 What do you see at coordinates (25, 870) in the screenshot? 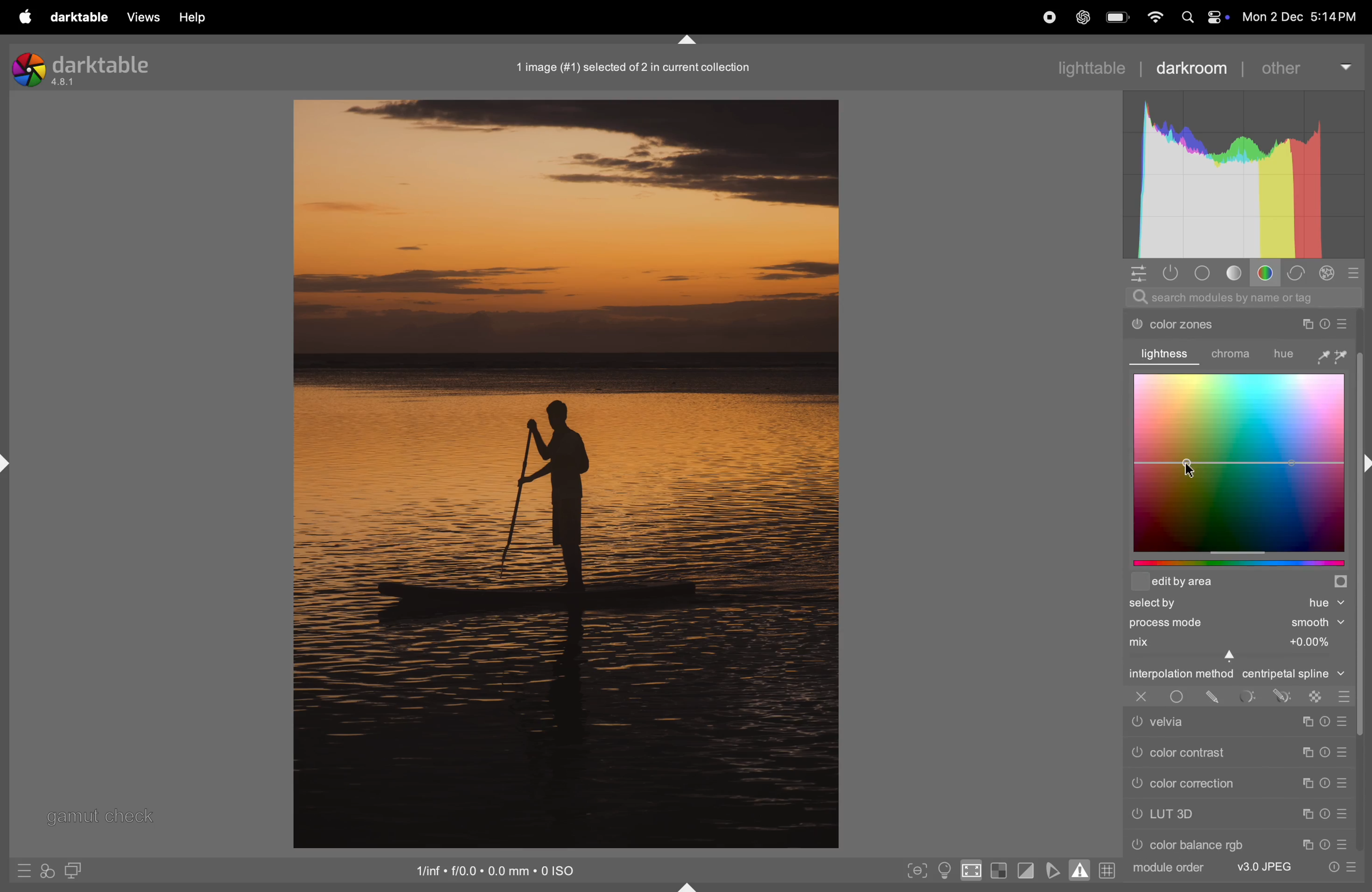
I see `quick presets` at bounding box center [25, 870].